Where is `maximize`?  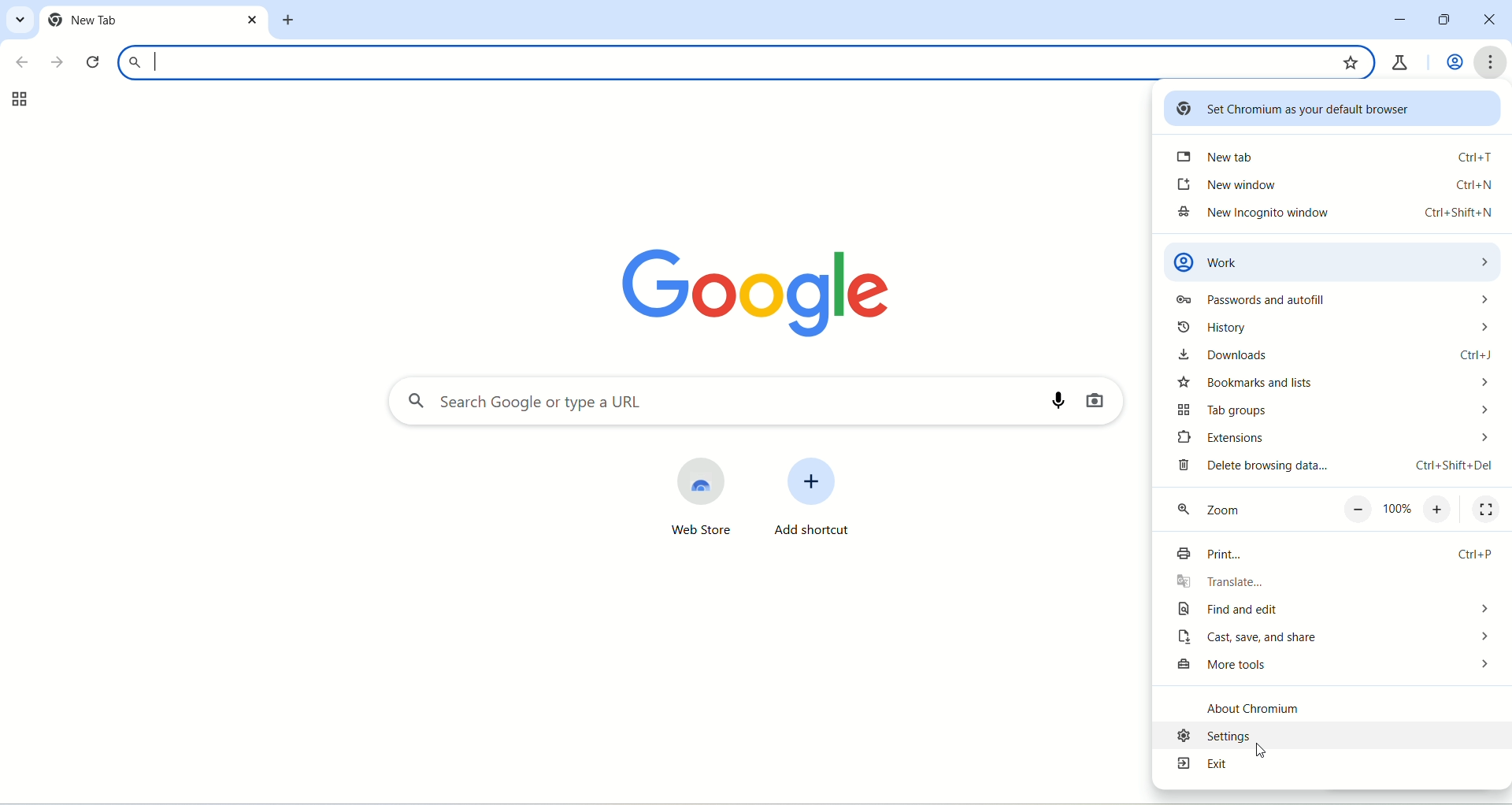 maximize is located at coordinates (1440, 20).